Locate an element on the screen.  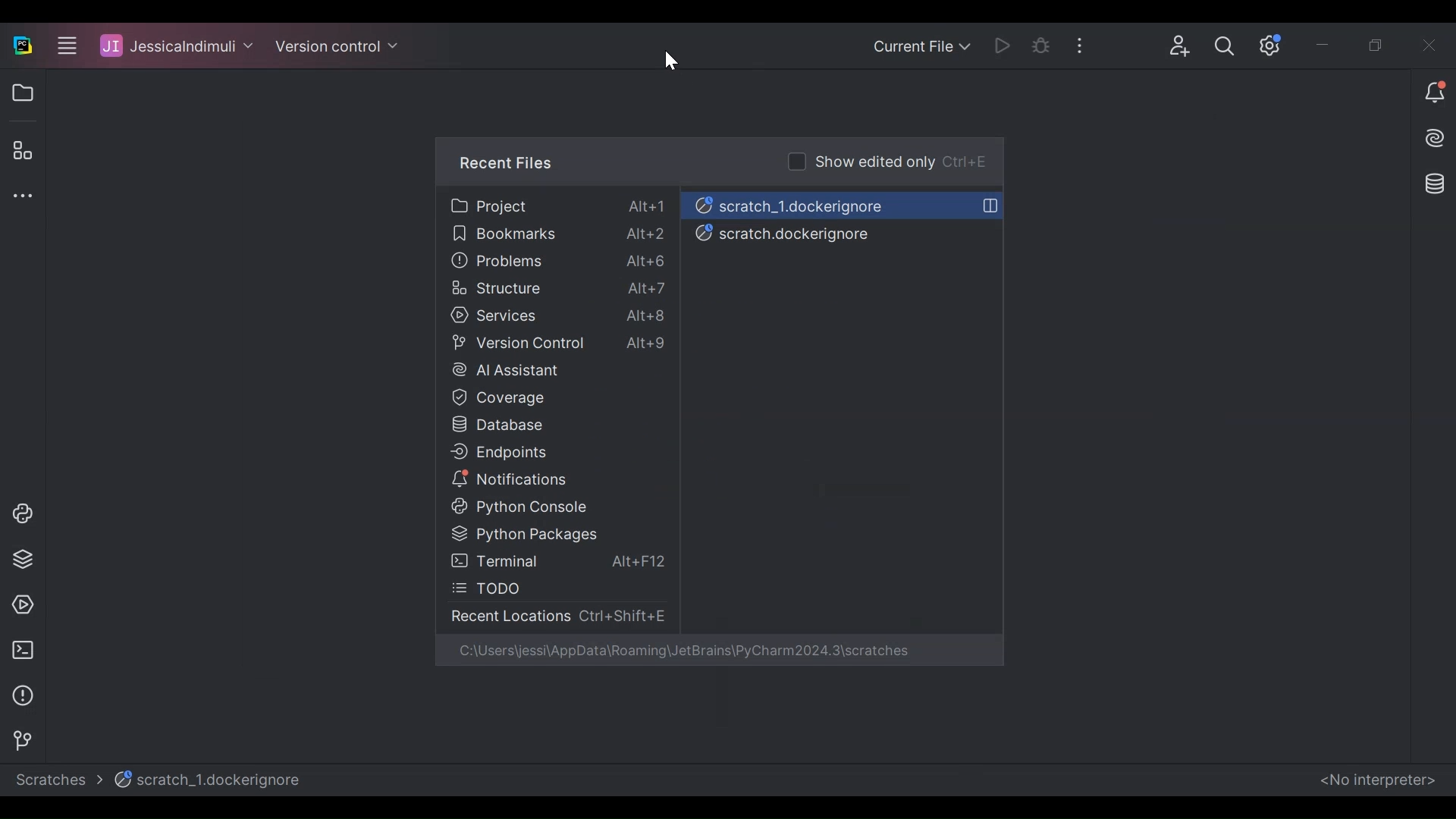
Database is located at coordinates (548, 425).